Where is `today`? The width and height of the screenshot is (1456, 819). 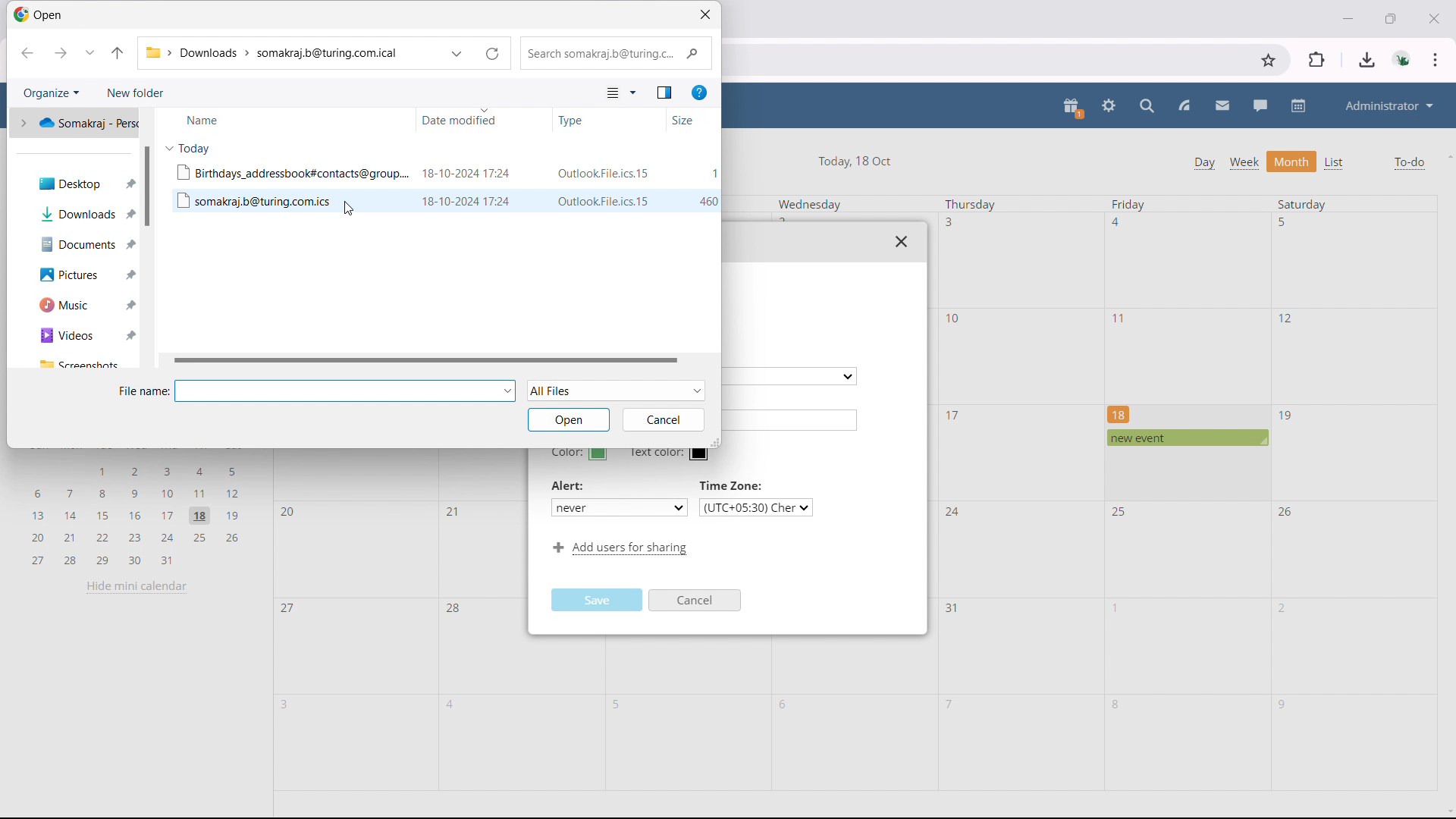
today is located at coordinates (189, 148).